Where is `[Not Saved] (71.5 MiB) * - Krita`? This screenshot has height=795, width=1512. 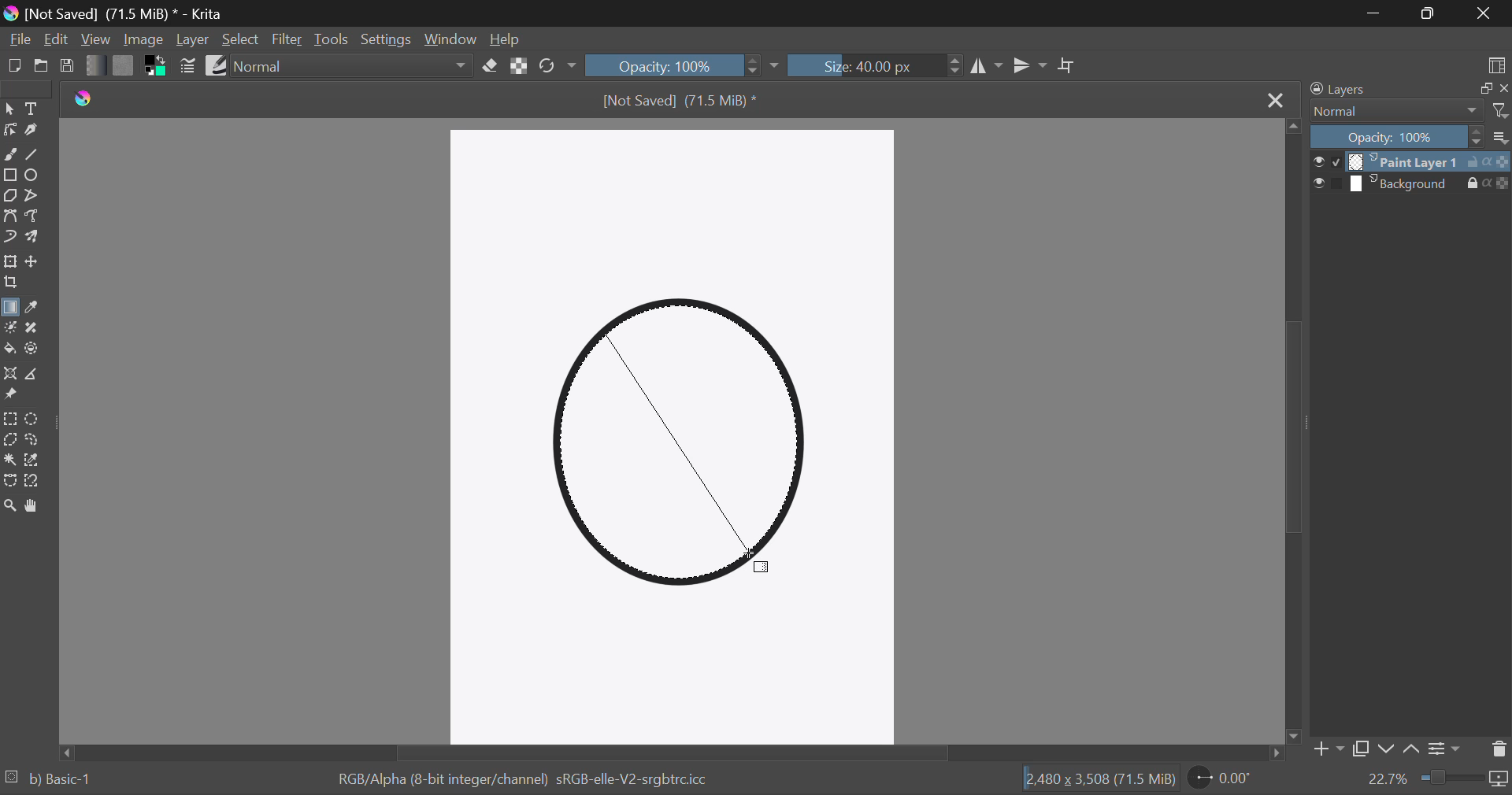
[Not Saved] (71.5 MiB) * - Krita is located at coordinates (124, 15).